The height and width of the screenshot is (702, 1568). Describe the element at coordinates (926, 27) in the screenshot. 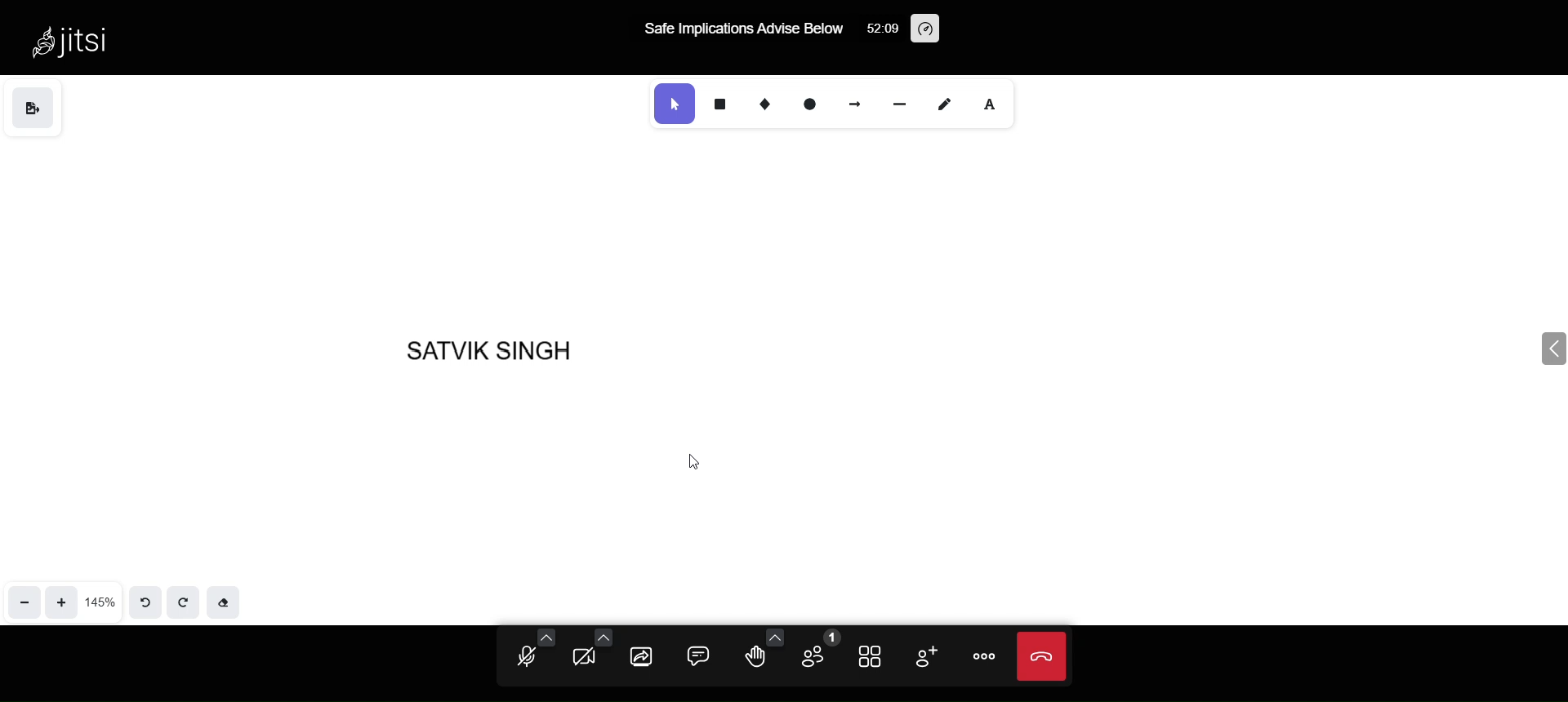

I see `performance setting` at that location.